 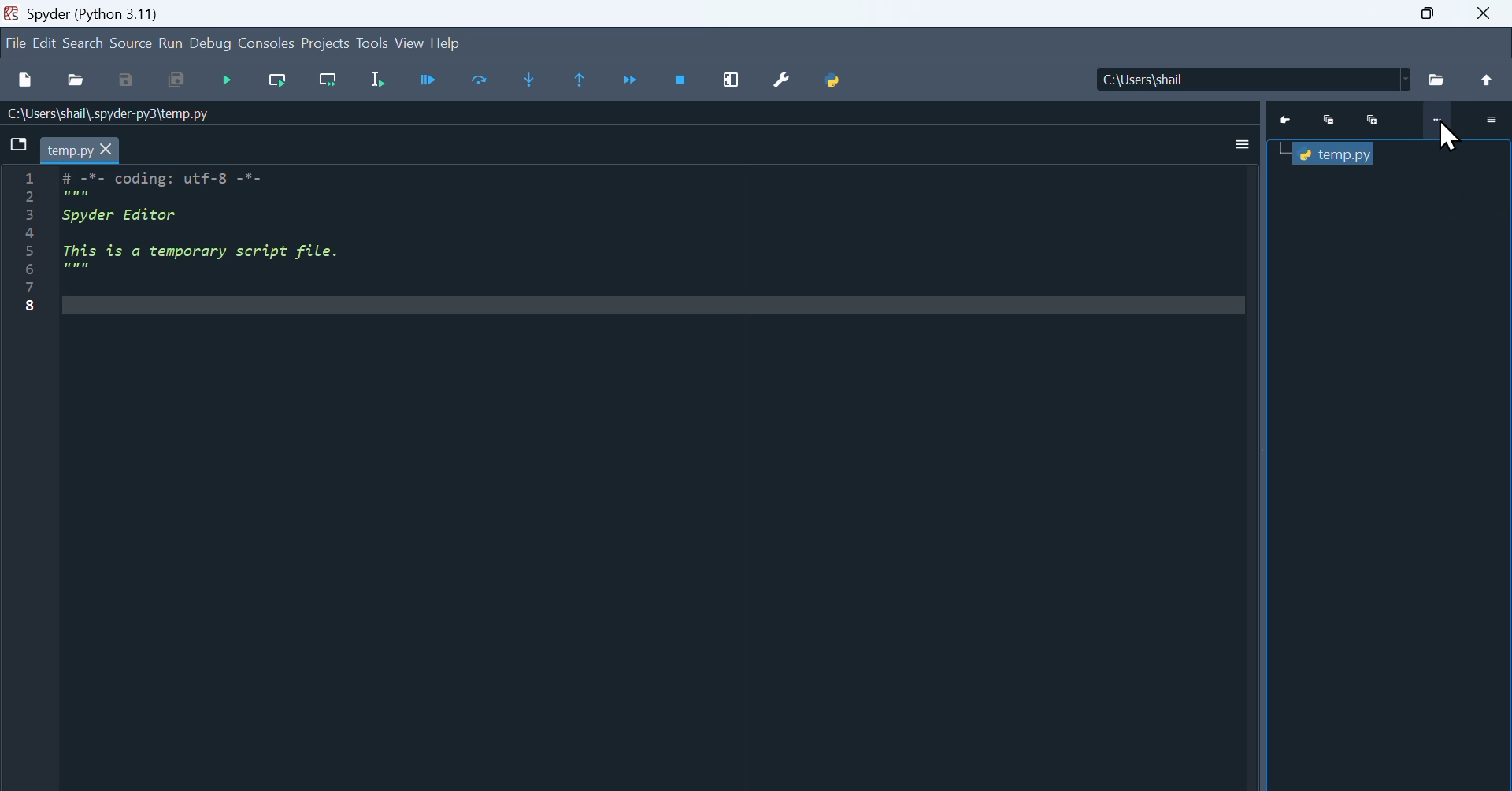 I want to click on Minimize, so click(x=1332, y=121).